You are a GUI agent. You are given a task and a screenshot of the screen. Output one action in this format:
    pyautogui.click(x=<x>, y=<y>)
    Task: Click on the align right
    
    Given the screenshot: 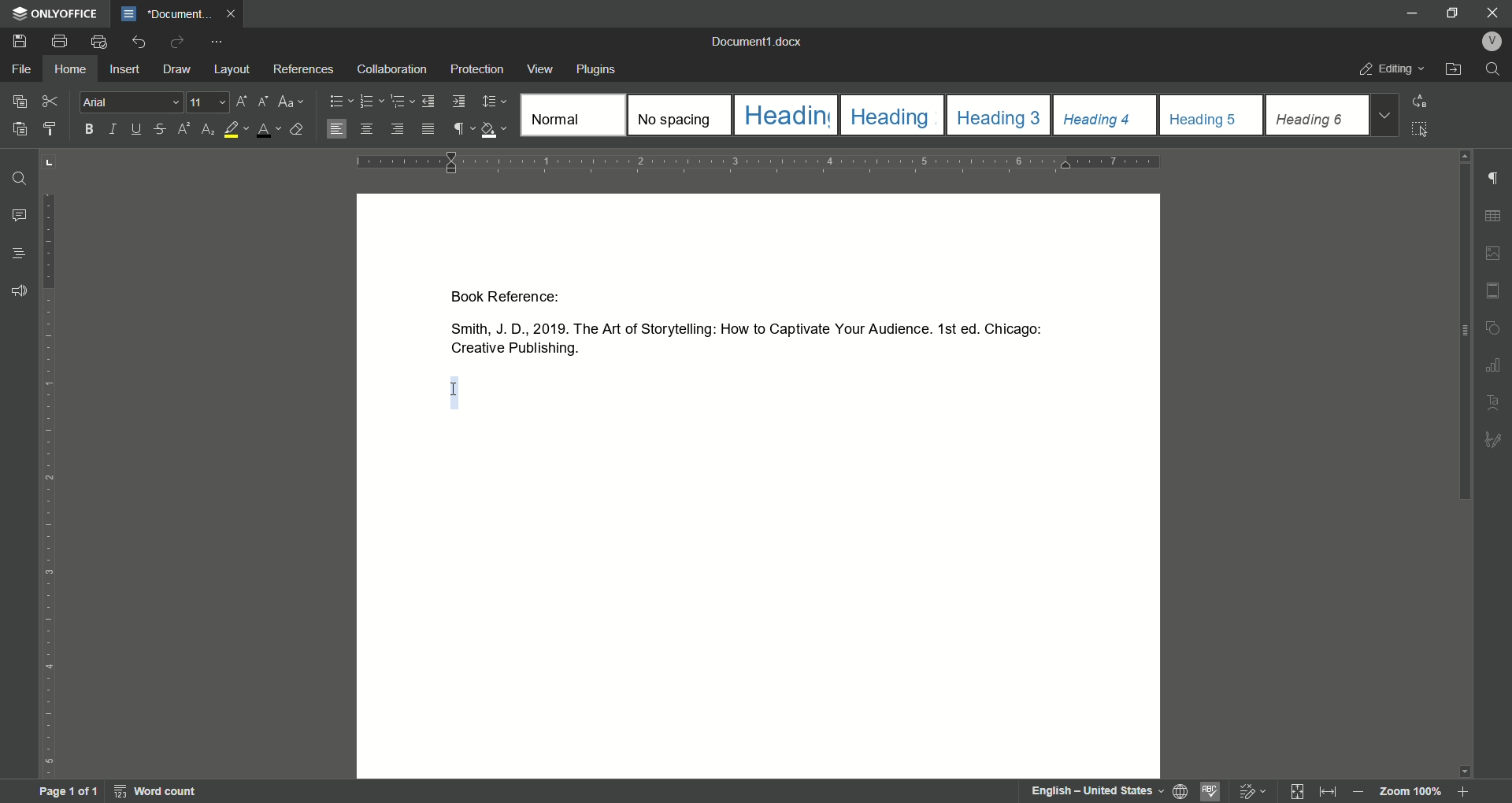 What is the action you would take?
    pyautogui.click(x=396, y=128)
    